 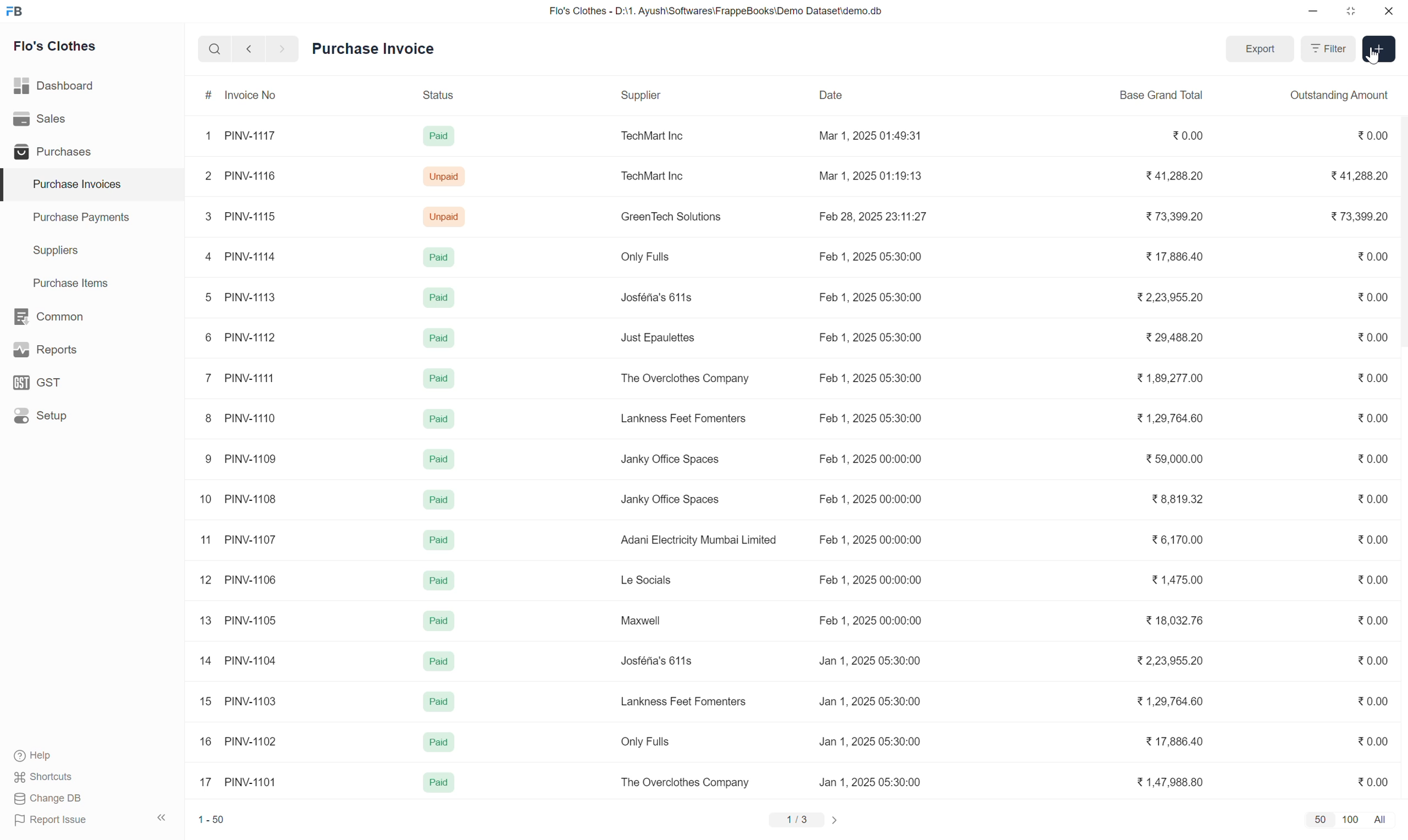 I want to click on Help, so click(x=38, y=756).